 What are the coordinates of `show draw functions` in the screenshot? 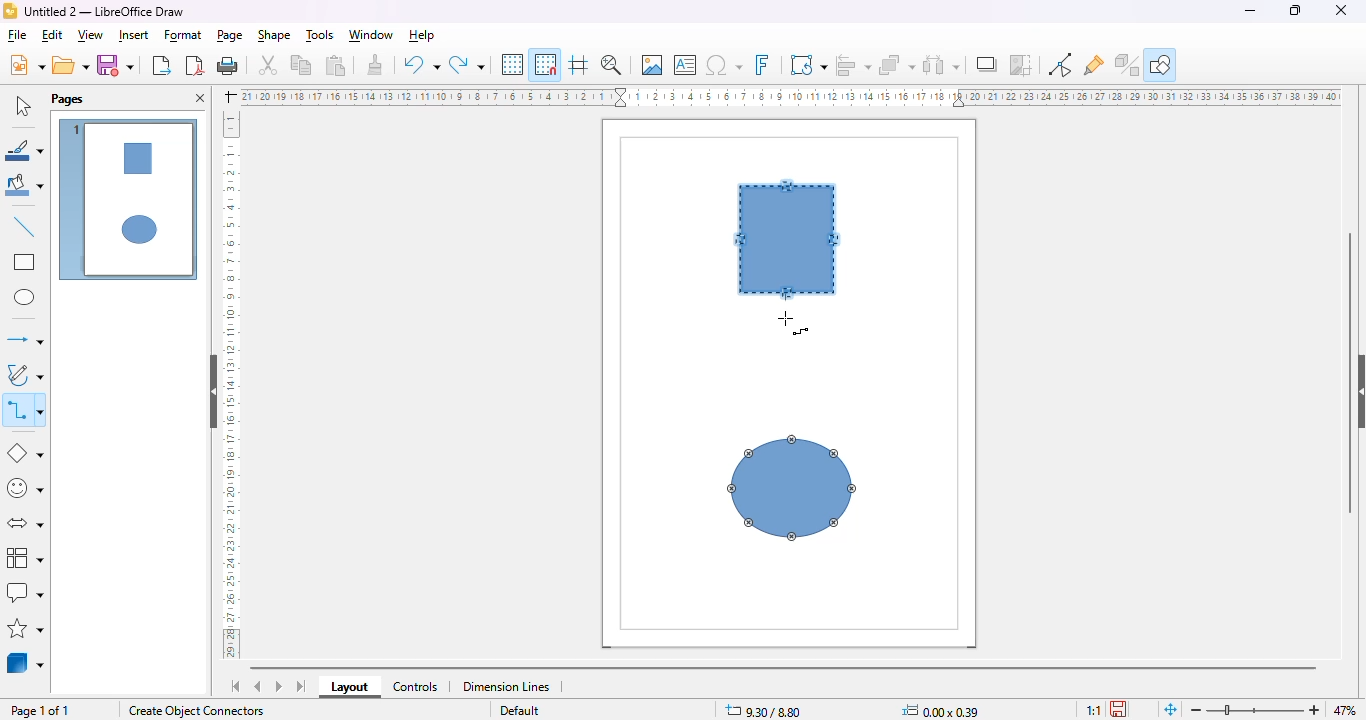 It's located at (1163, 63).